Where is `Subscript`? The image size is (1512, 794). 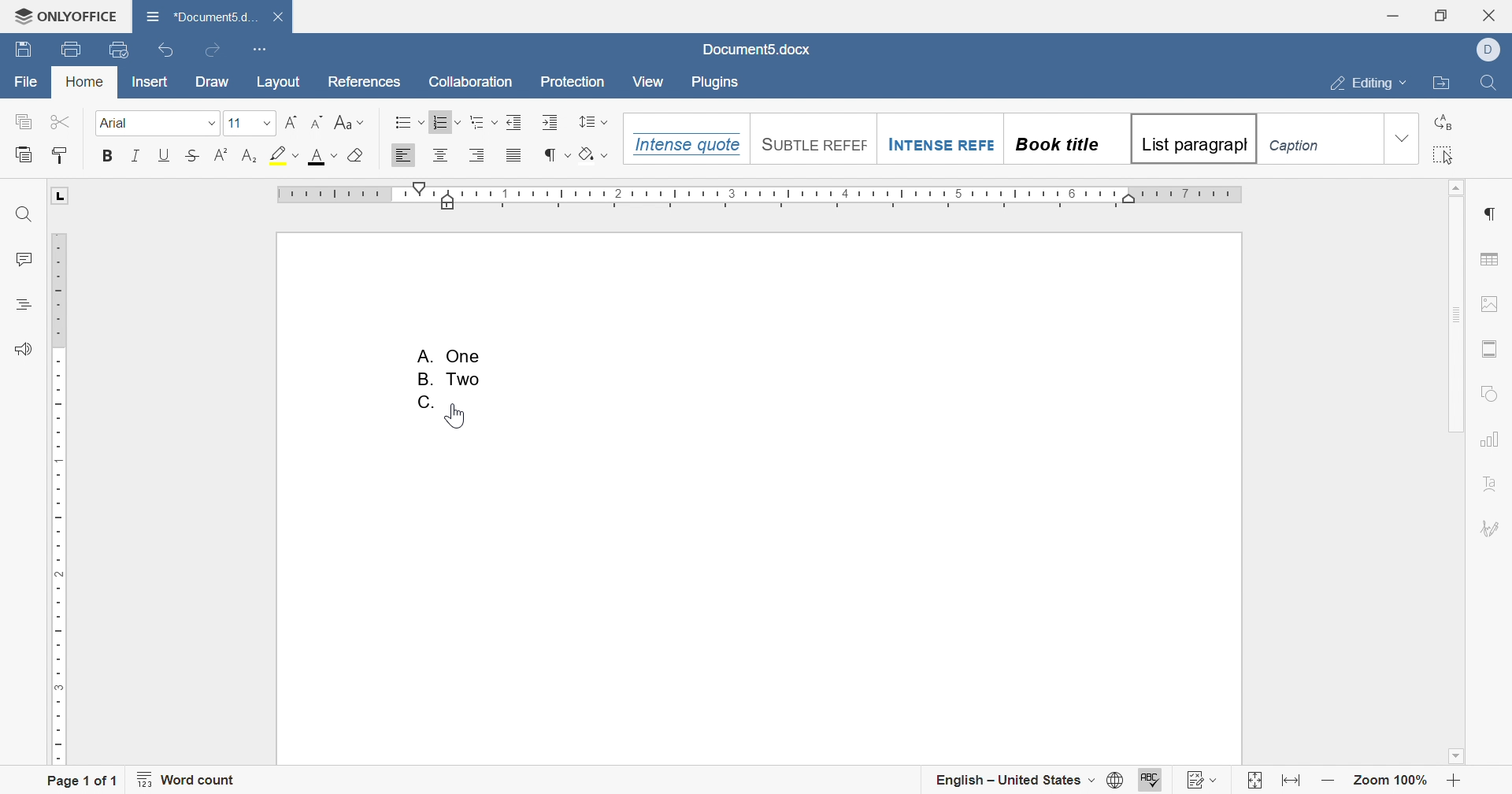
Subscript is located at coordinates (248, 155).